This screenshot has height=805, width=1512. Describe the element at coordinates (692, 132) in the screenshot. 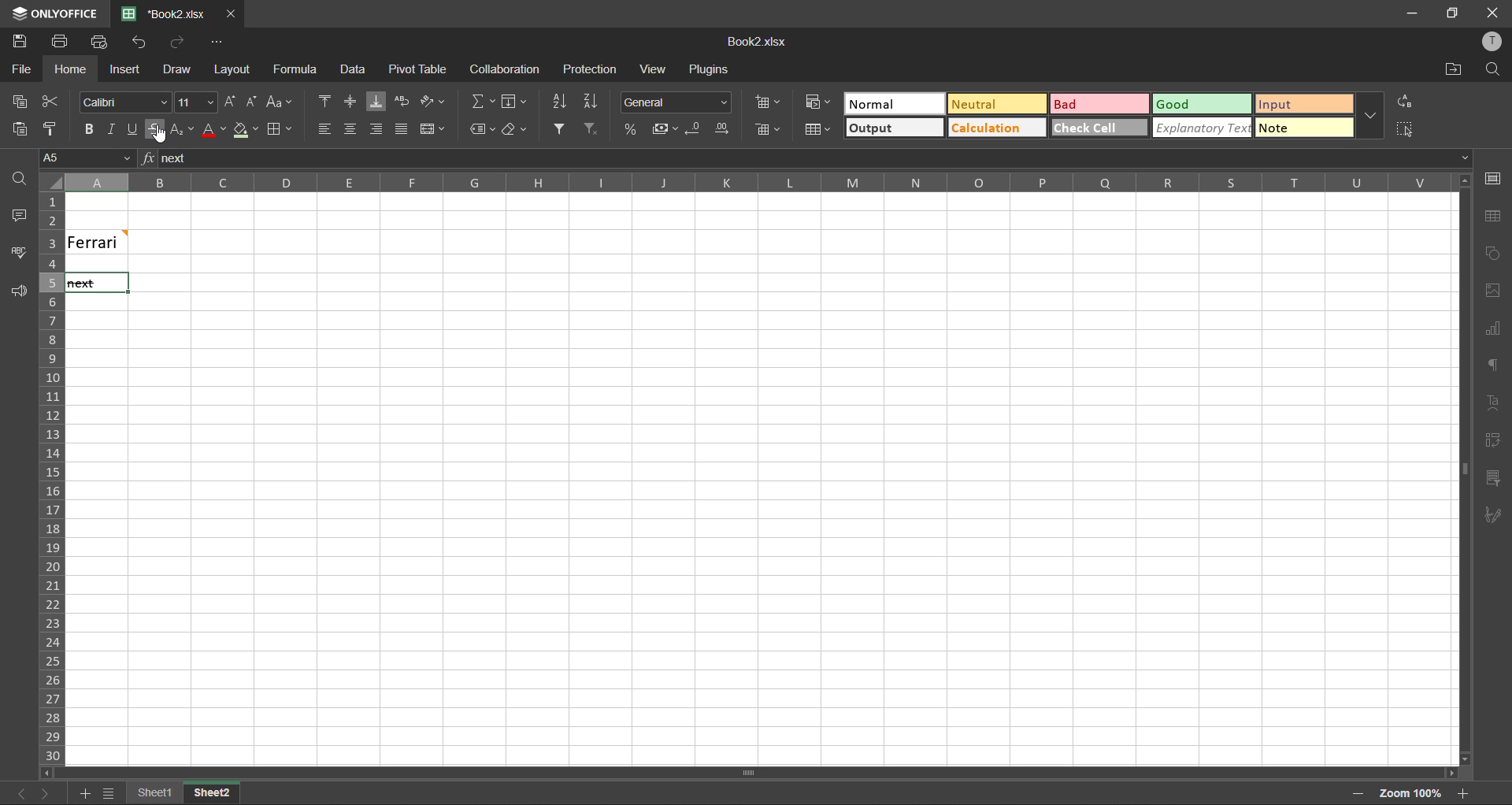

I see `decrease decimal` at that location.